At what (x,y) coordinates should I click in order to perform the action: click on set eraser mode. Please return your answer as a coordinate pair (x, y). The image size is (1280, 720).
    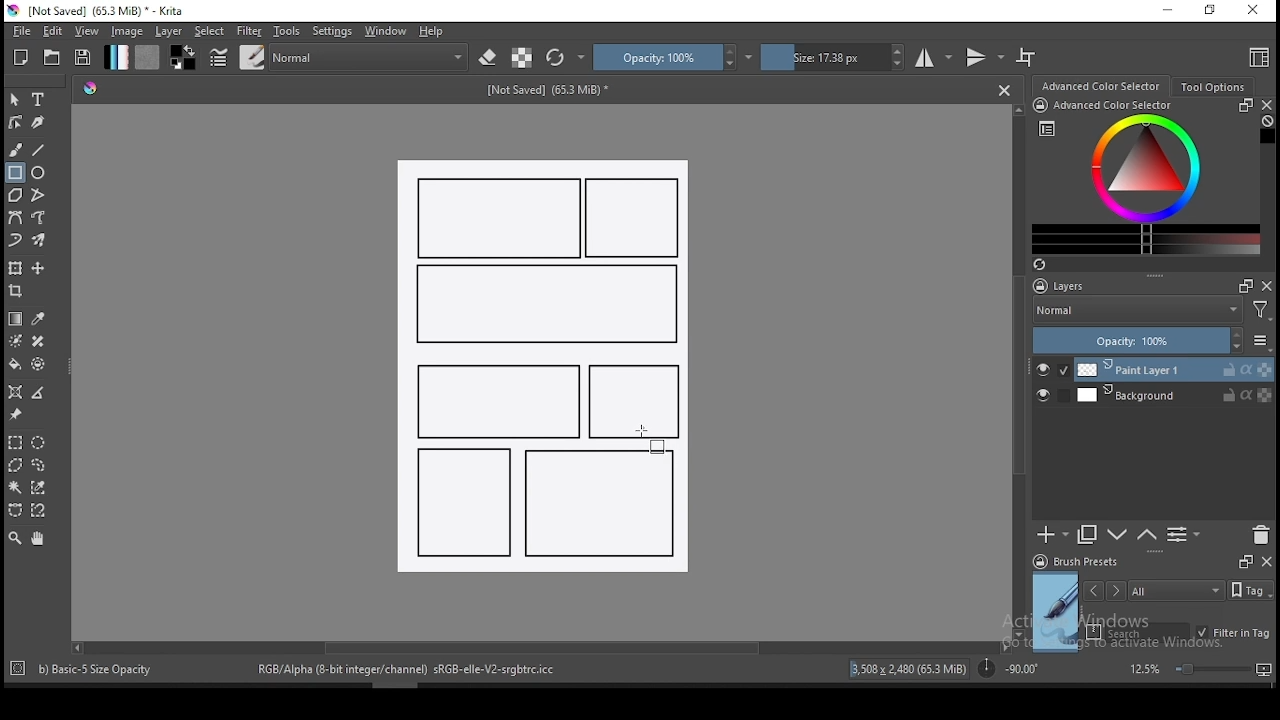
    Looking at the image, I should click on (490, 58).